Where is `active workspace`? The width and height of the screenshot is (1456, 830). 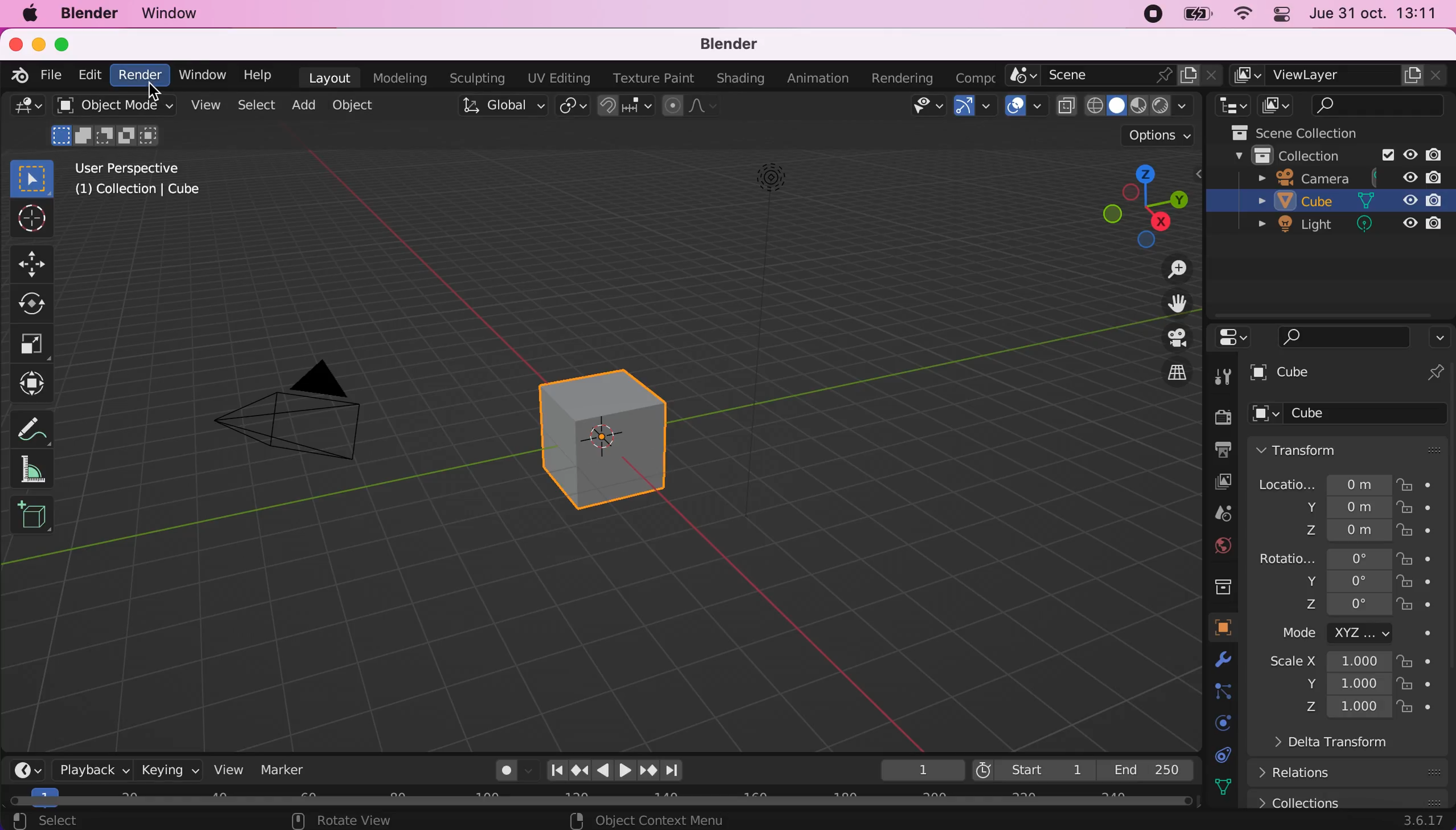
active workspace is located at coordinates (974, 75).